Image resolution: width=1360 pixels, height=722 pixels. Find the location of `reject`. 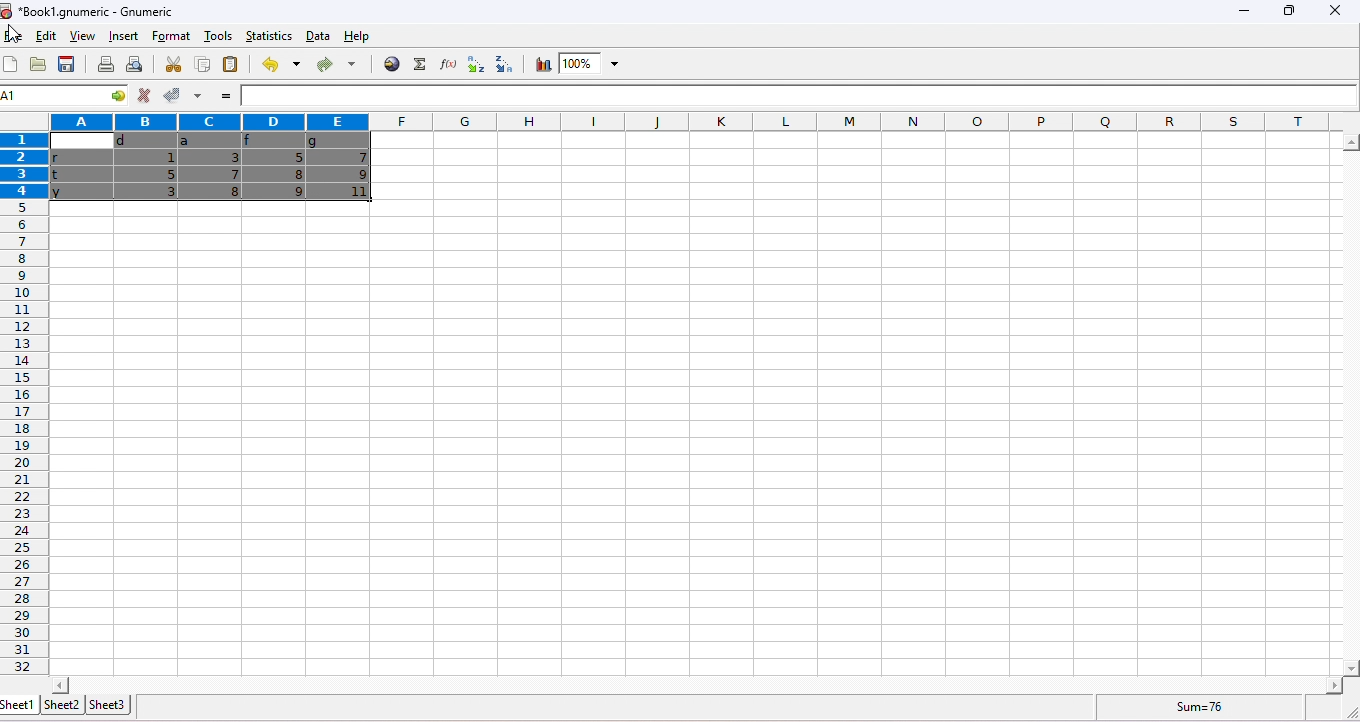

reject is located at coordinates (143, 96).